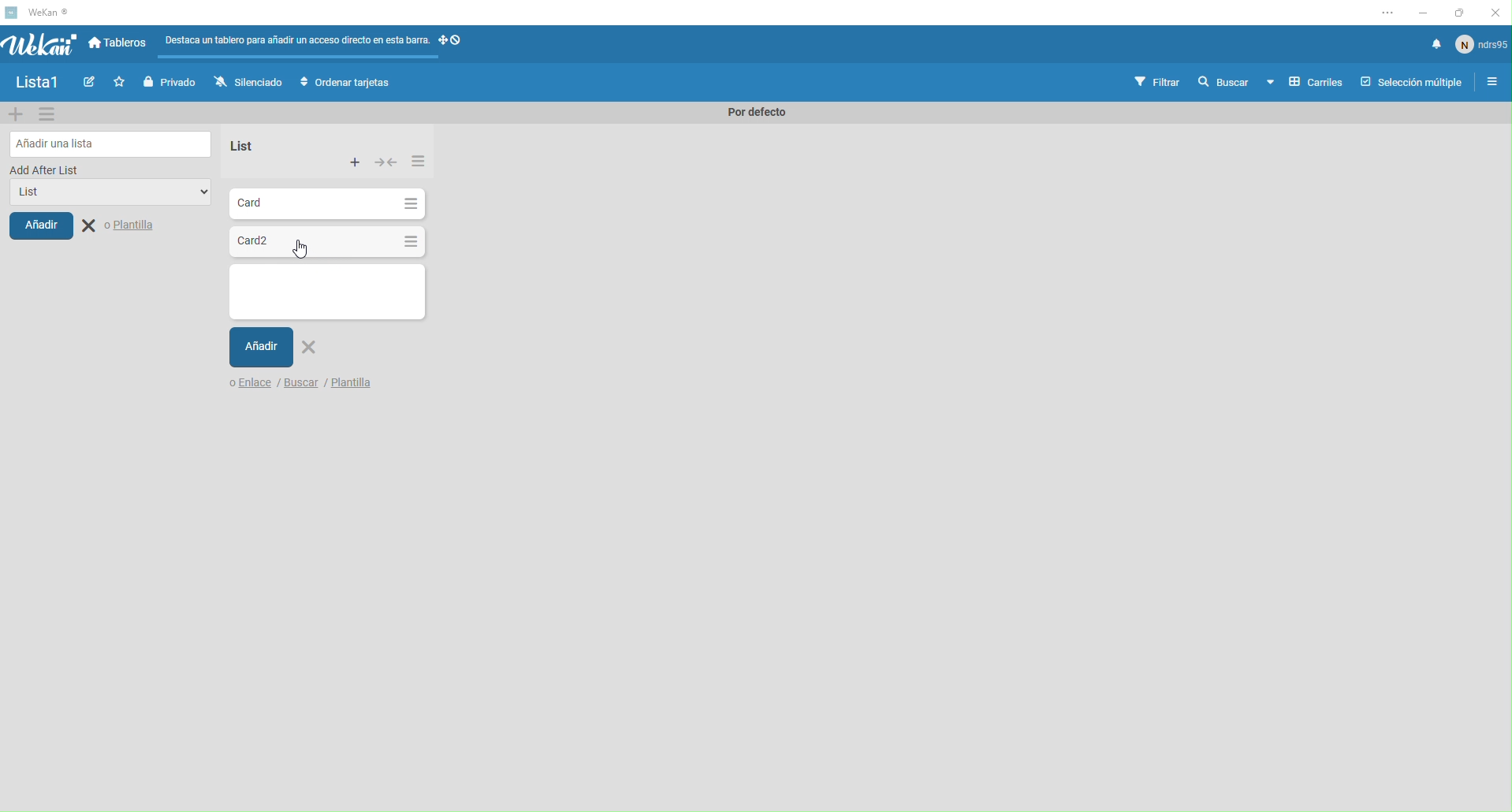 The width and height of the screenshot is (1512, 812). I want to click on WeKan, so click(55, 12).